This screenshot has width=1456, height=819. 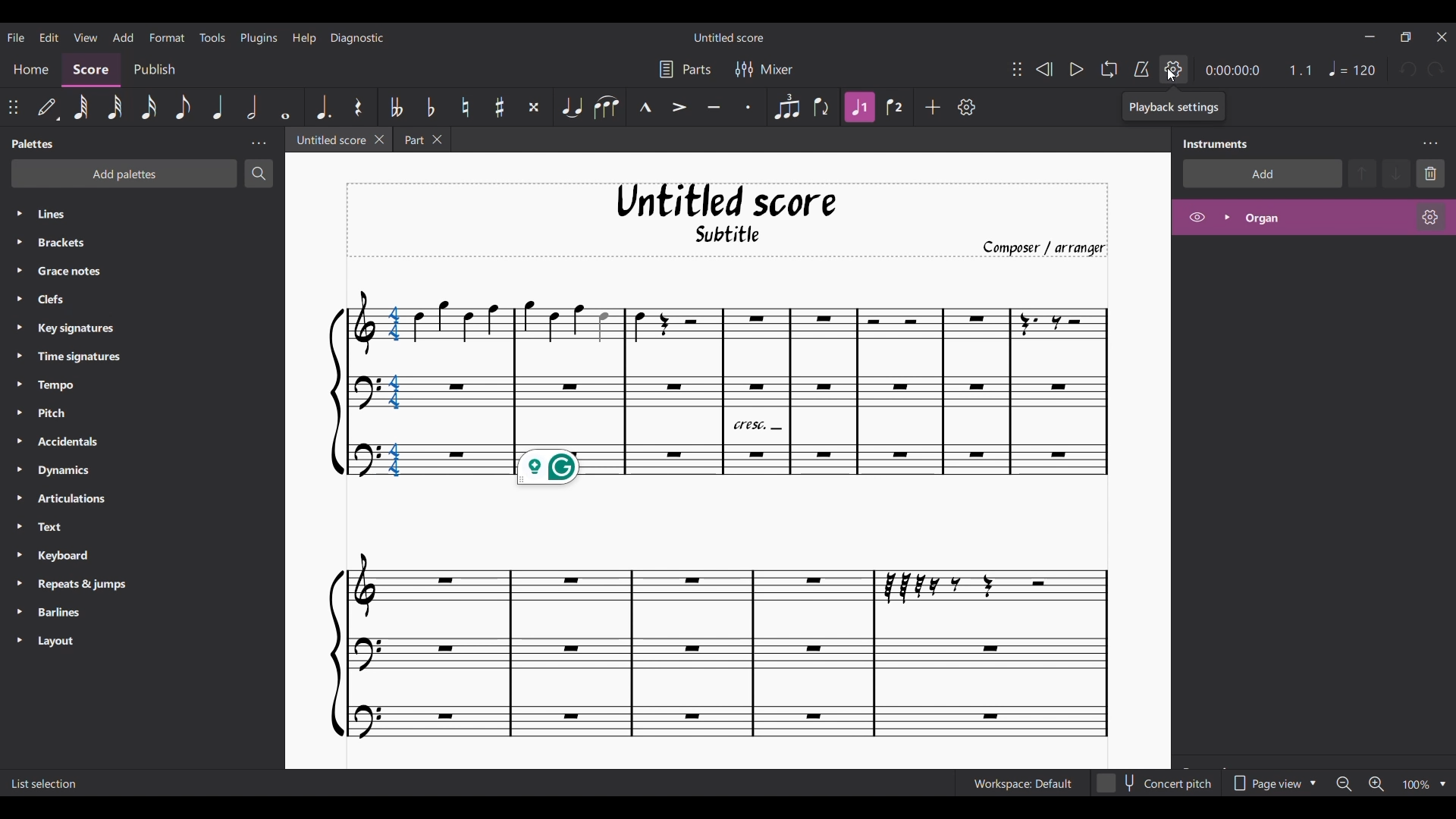 What do you see at coordinates (394, 391) in the screenshot?
I see `Selected chord highlighted` at bounding box center [394, 391].